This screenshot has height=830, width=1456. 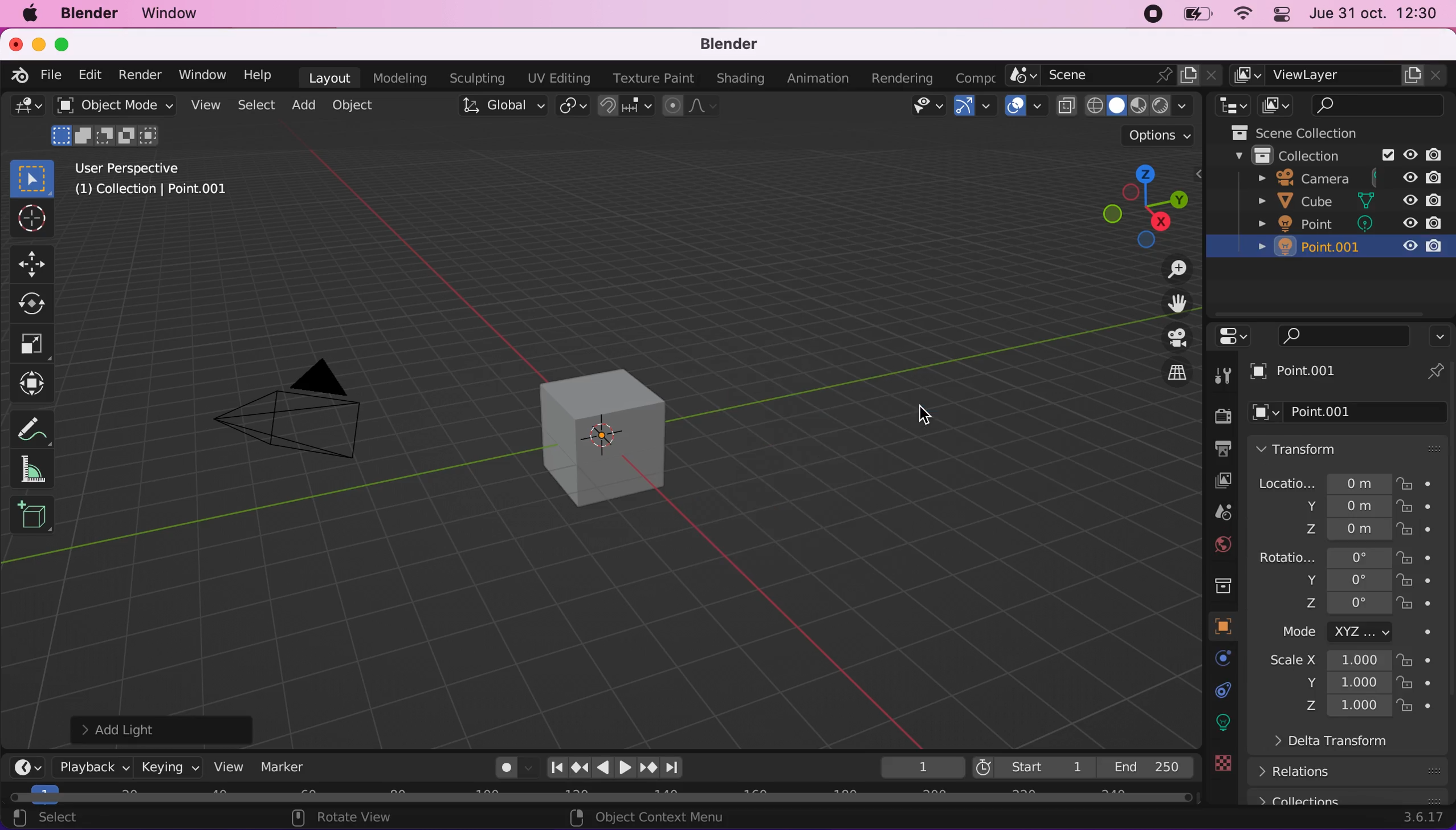 What do you see at coordinates (1411, 243) in the screenshot?
I see `hide in viewpoint` at bounding box center [1411, 243].